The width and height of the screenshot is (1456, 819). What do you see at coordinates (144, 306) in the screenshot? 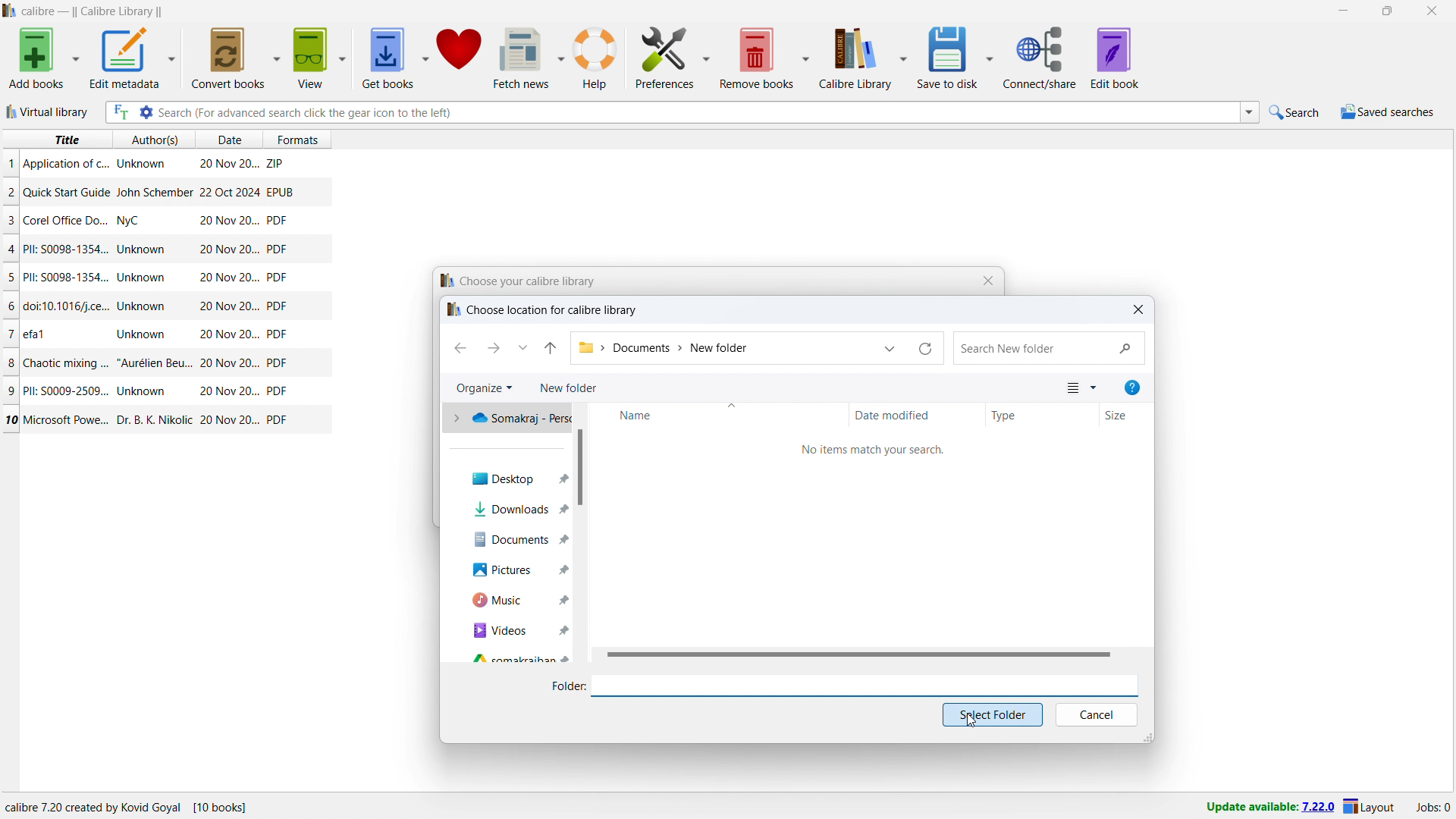
I see `Author` at bounding box center [144, 306].